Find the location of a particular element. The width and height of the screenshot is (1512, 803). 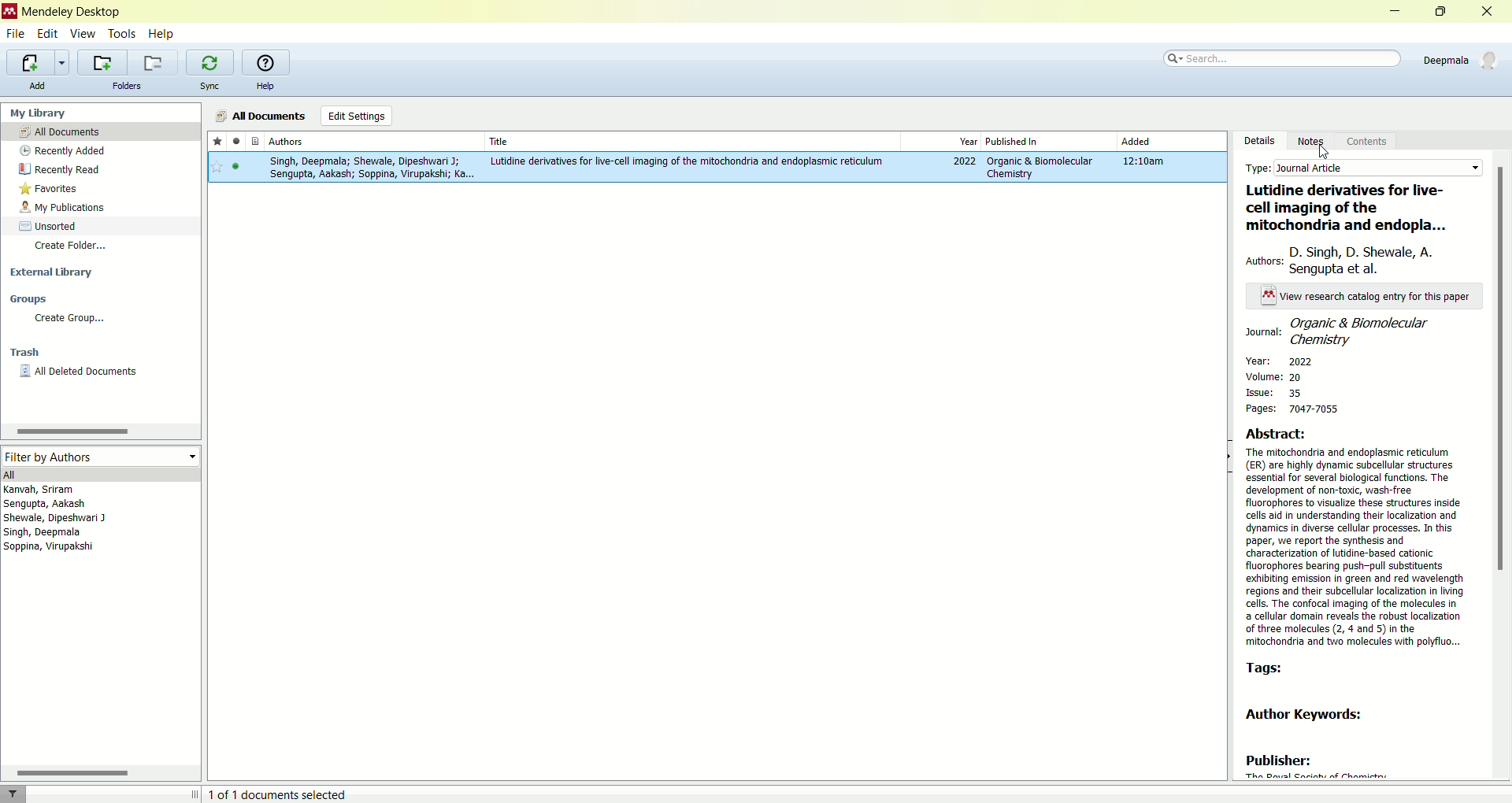

folders is located at coordinates (126, 86).